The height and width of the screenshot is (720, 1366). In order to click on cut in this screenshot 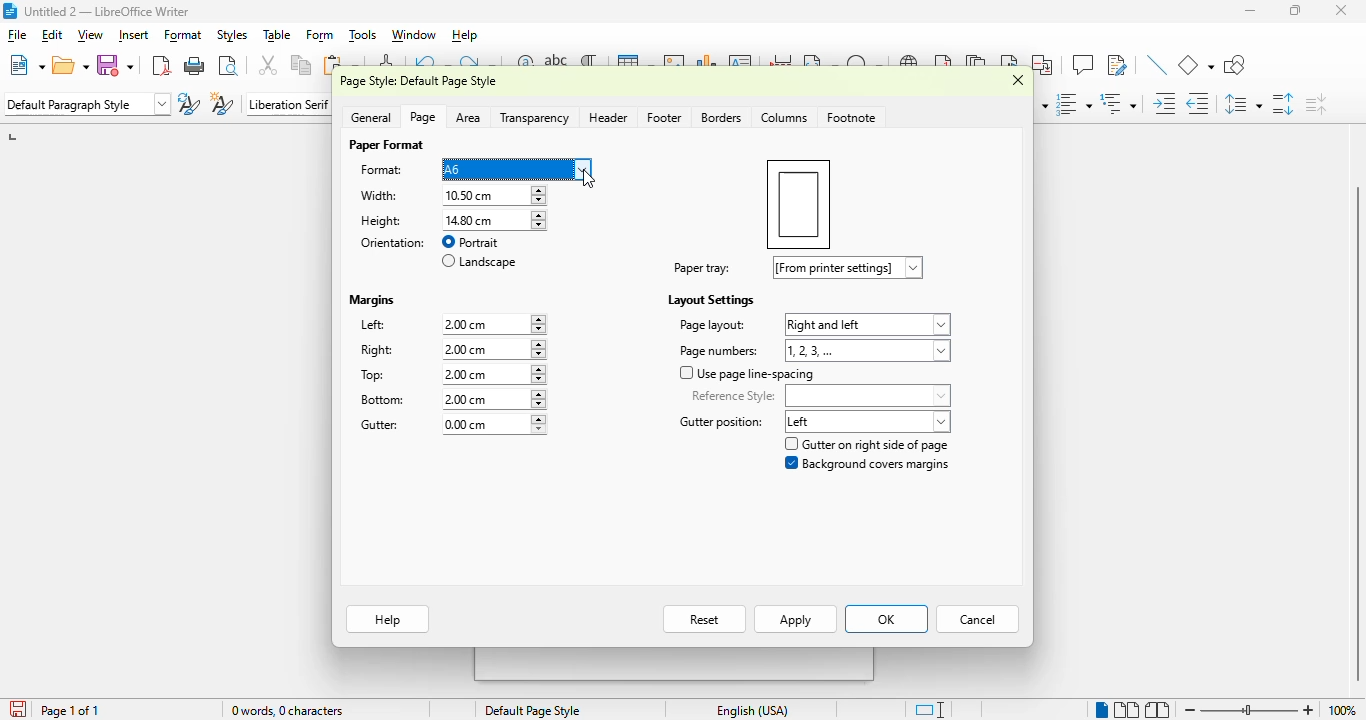, I will do `click(267, 65)`.